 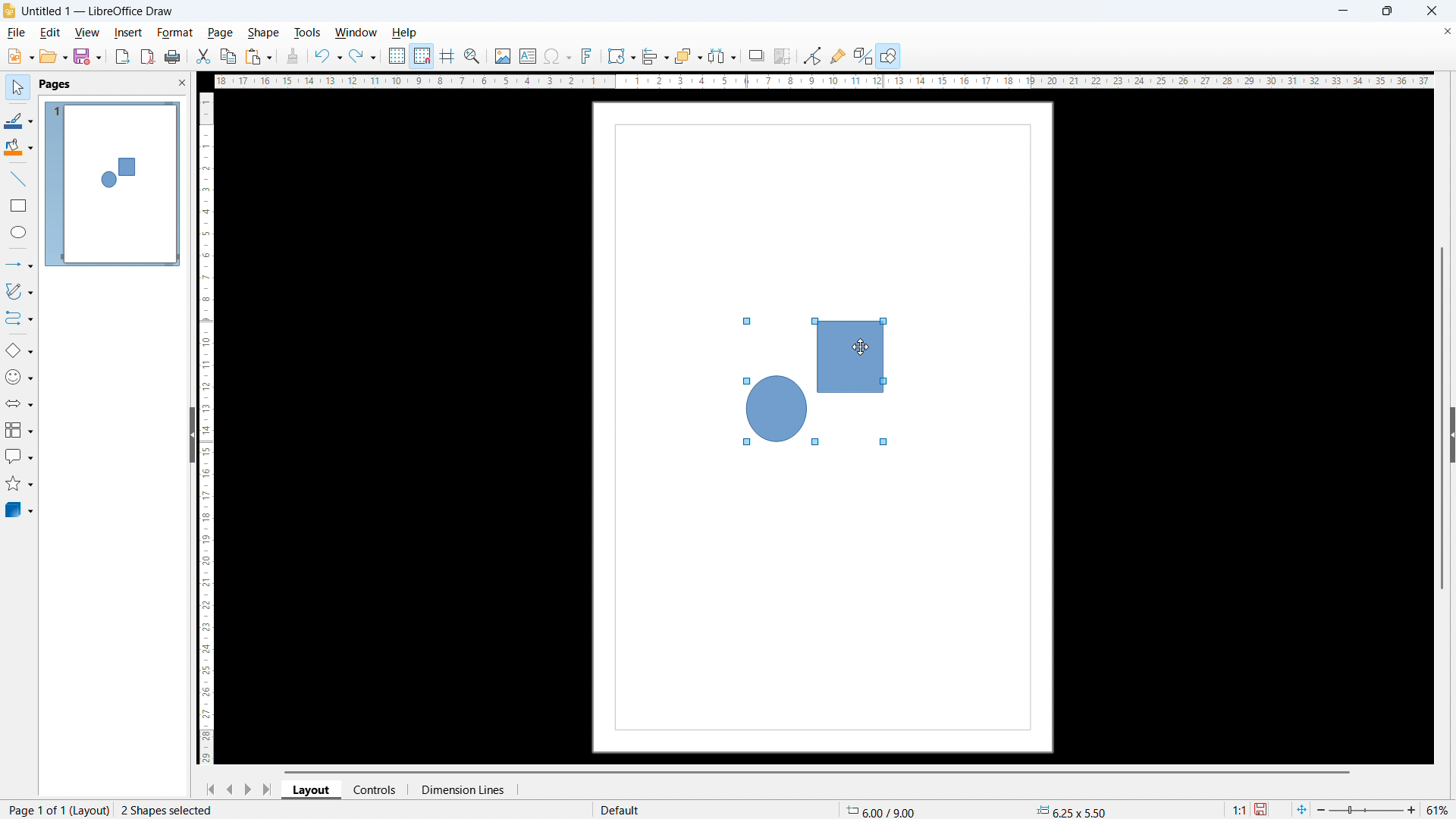 What do you see at coordinates (328, 57) in the screenshot?
I see `undo` at bounding box center [328, 57].